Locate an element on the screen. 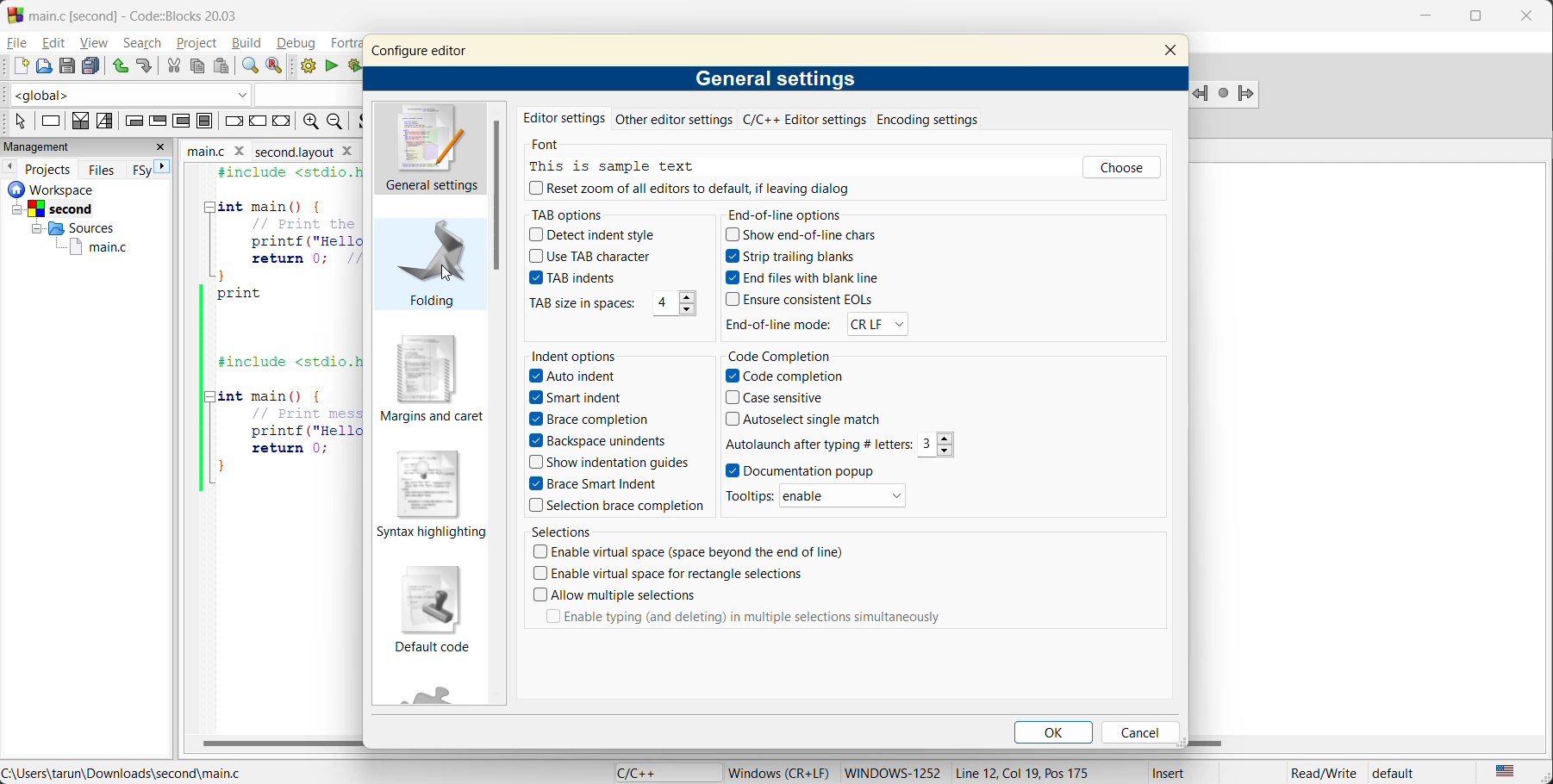 The image size is (1553, 784). general settings is located at coordinates (791, 80).